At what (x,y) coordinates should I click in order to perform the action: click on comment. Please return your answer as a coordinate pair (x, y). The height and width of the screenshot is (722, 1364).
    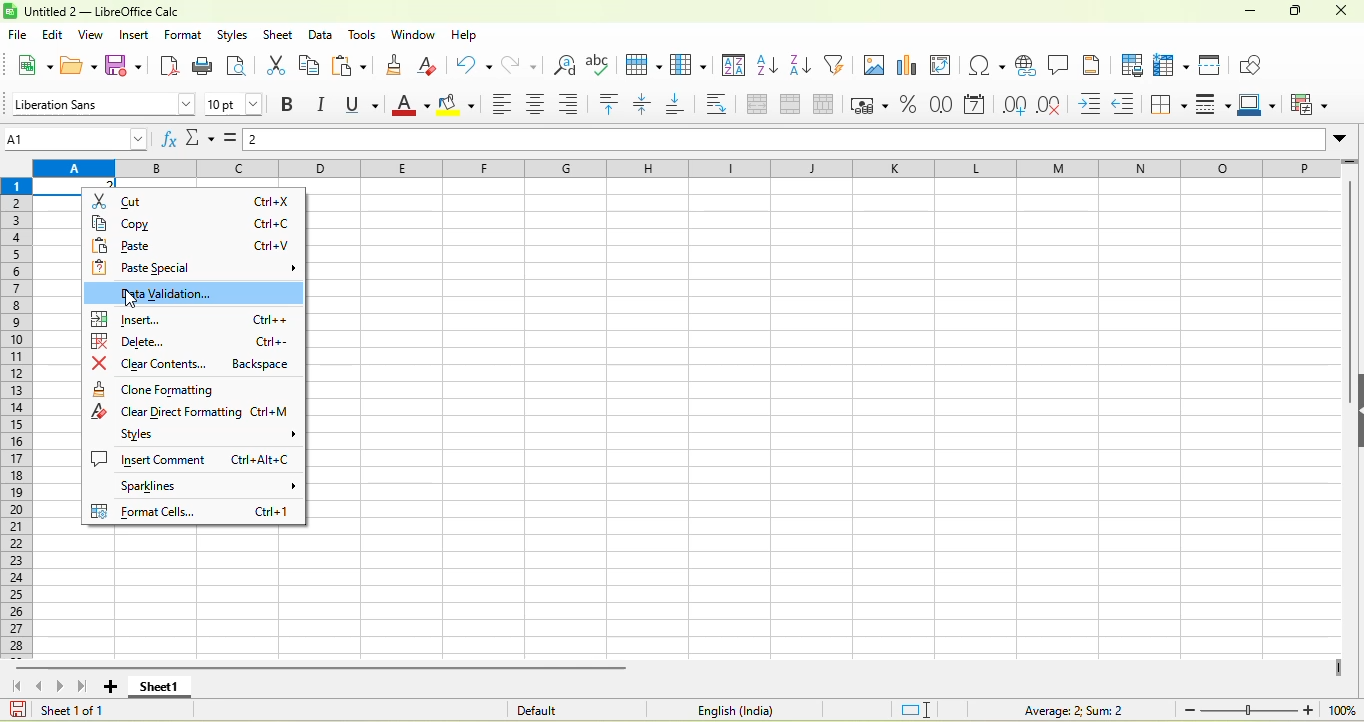
    Looking at the image, I should click on (1063, 65).